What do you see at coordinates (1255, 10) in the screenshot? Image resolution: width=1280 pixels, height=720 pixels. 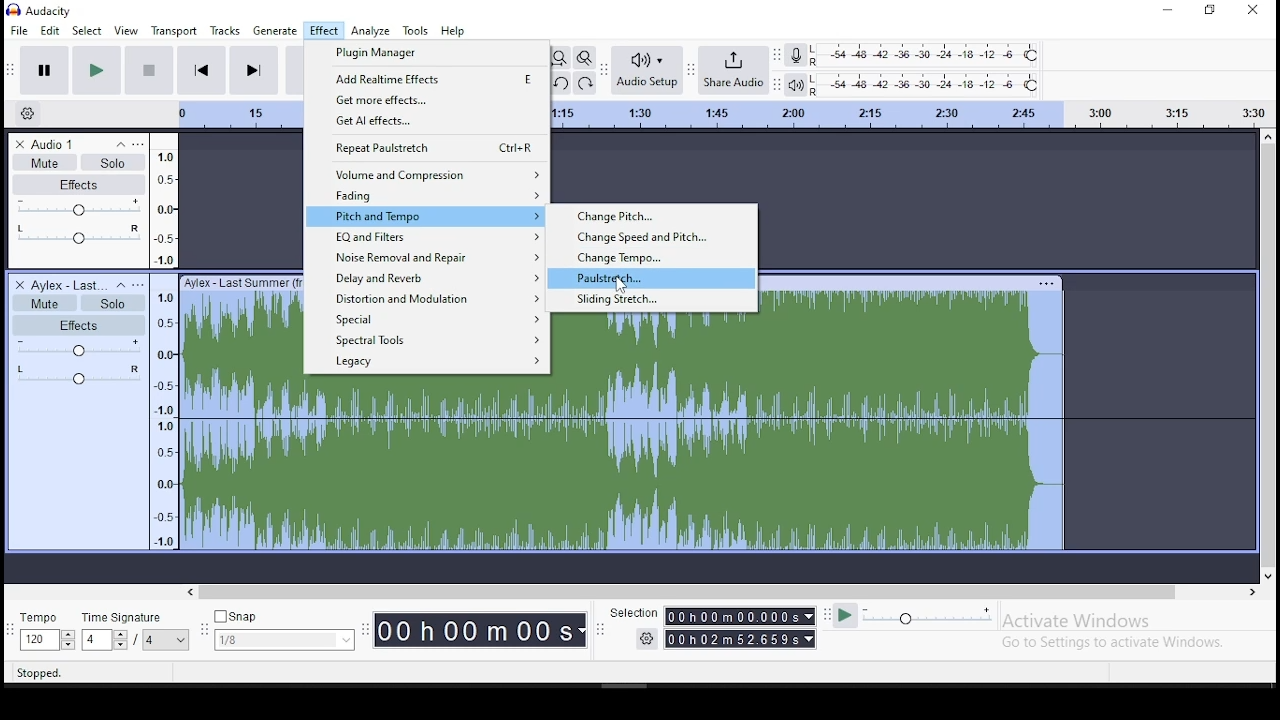 I see `close window` at bounding box center [1255, 10].